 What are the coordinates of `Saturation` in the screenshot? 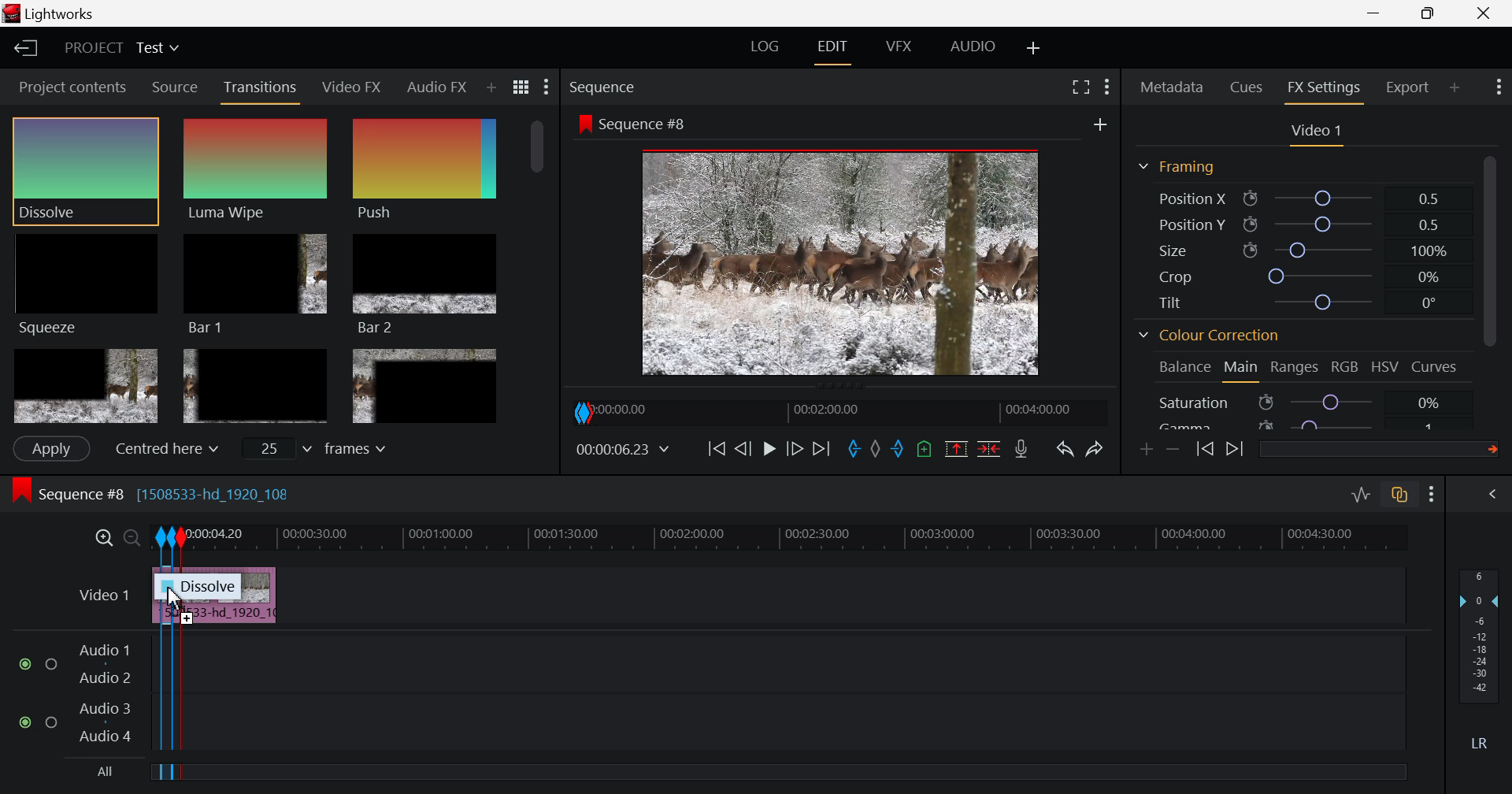 It's located at (1303, 402).